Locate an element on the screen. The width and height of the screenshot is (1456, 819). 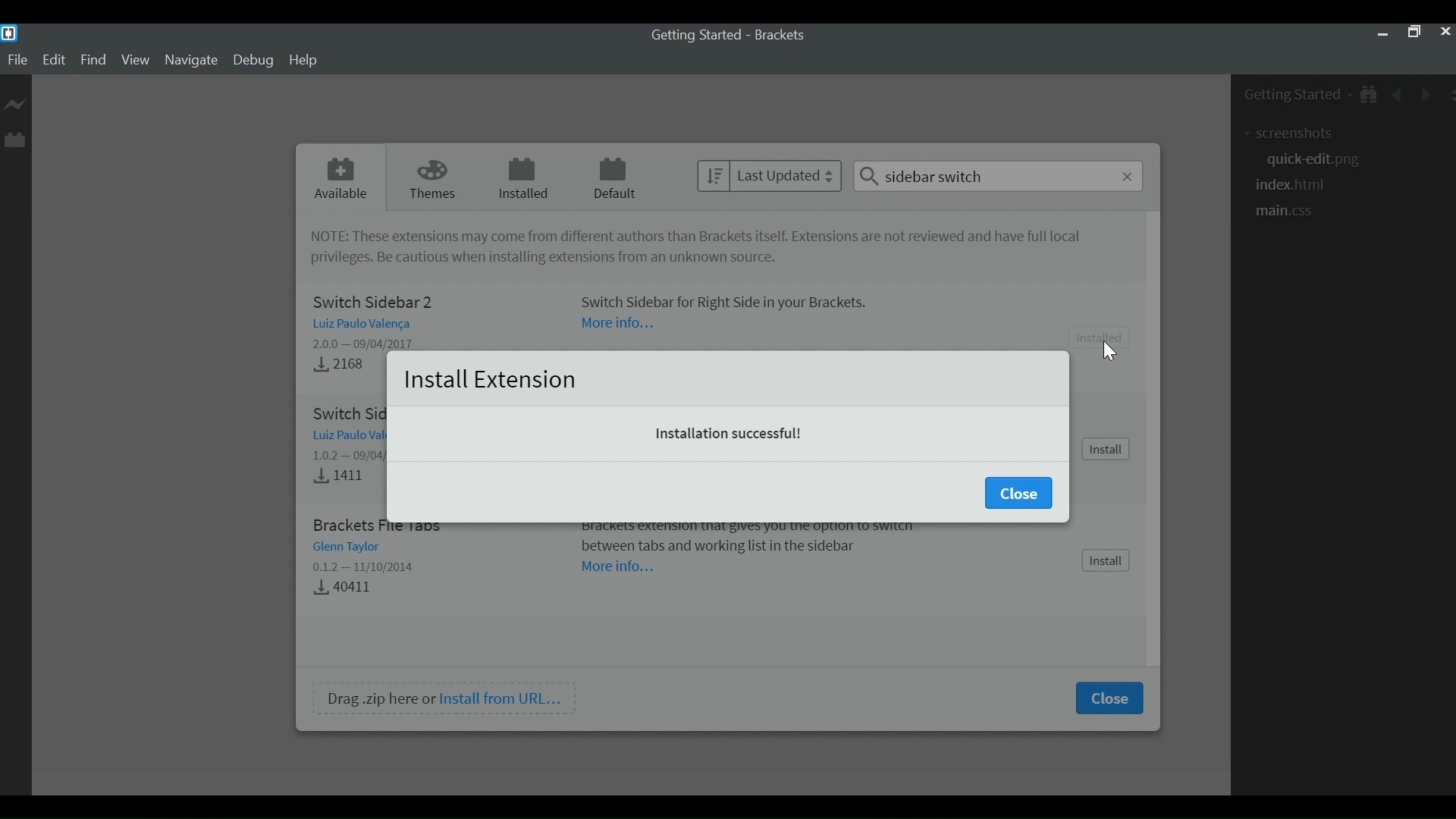
Glenn Taylor is located at coordinates (353, 547).